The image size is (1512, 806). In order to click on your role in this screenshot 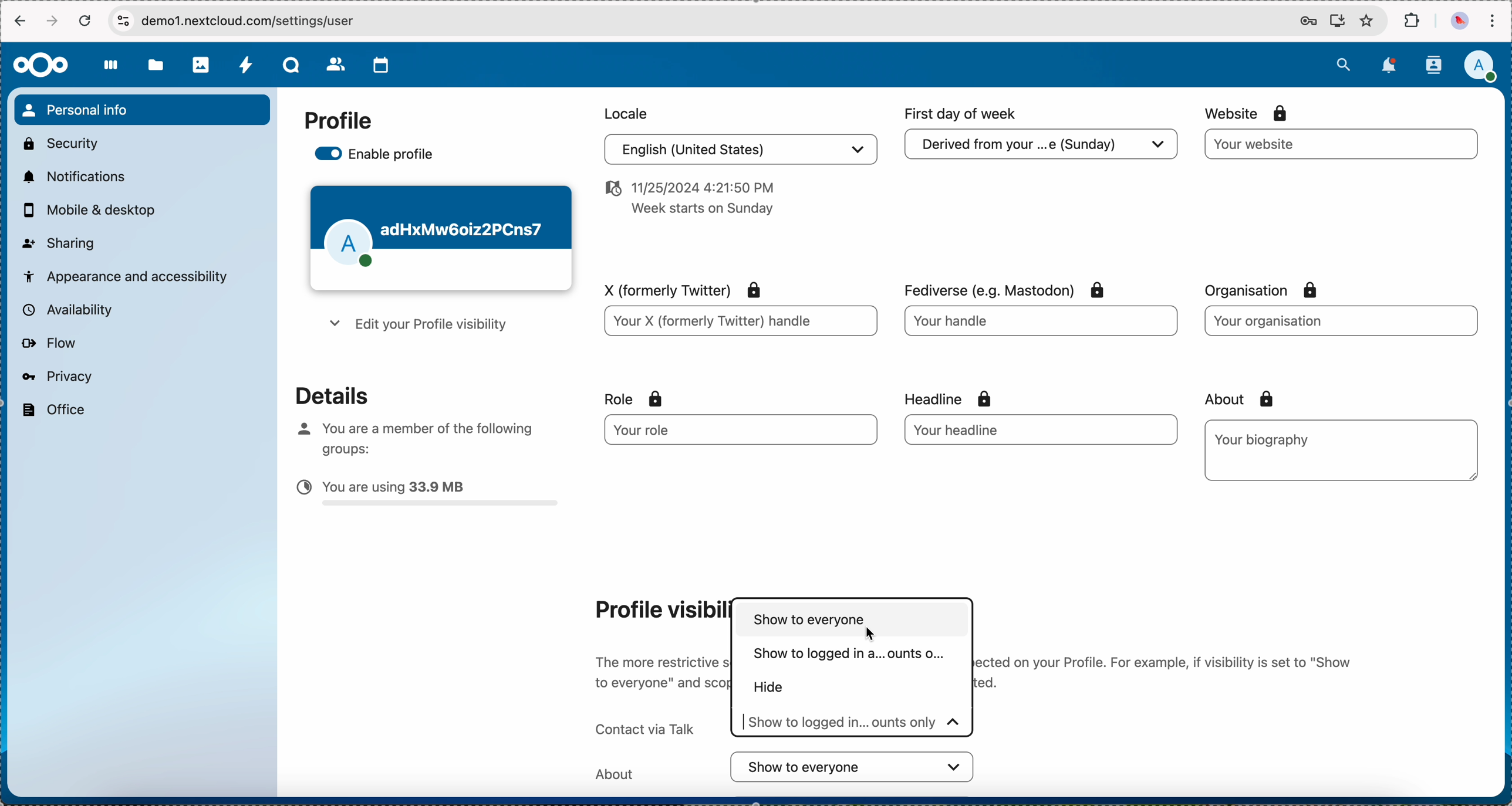, I will do `click(731, 430)`.